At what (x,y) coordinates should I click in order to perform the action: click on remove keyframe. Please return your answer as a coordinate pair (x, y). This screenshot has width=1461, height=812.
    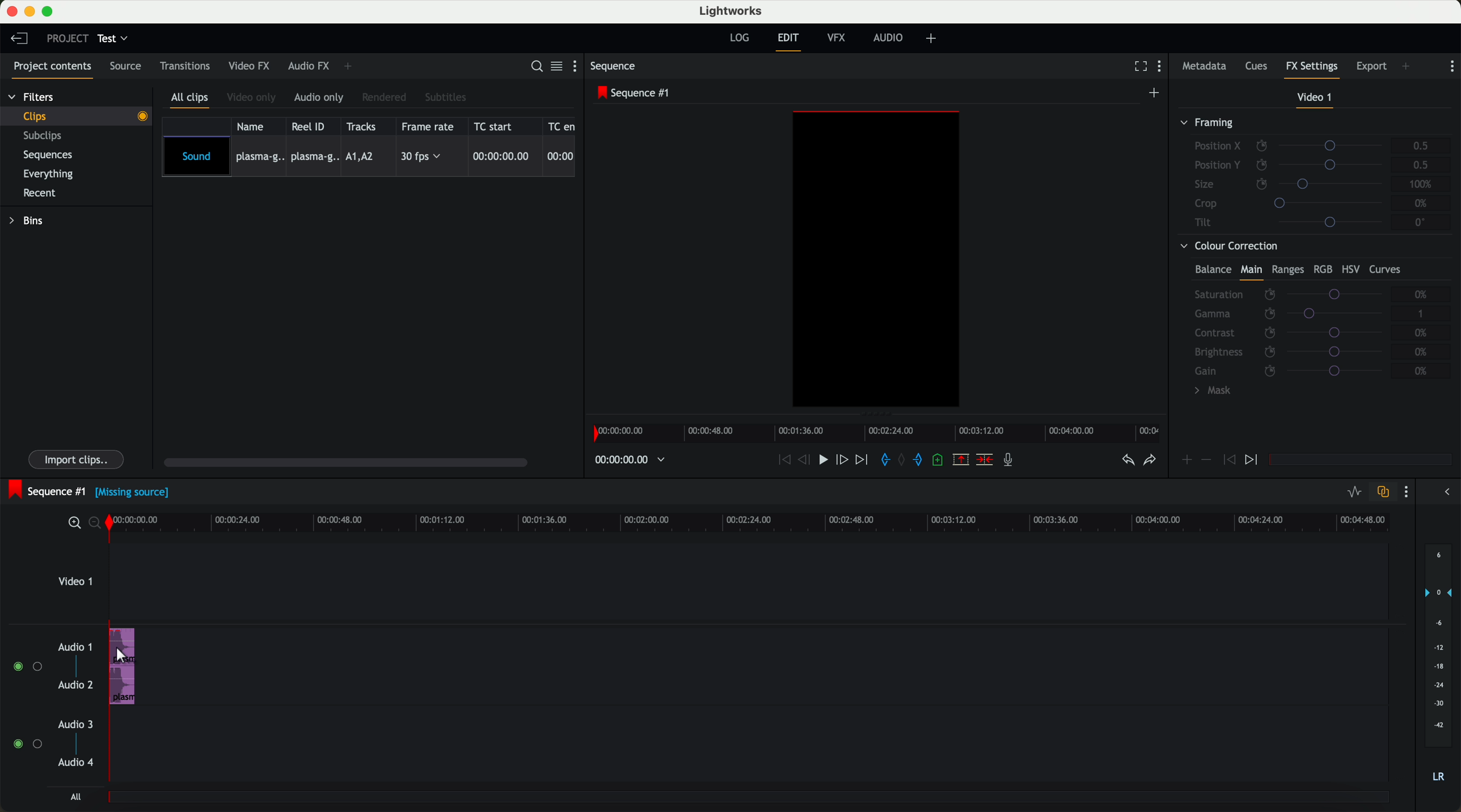
    Looking at the image, I should click on (1207, 460).